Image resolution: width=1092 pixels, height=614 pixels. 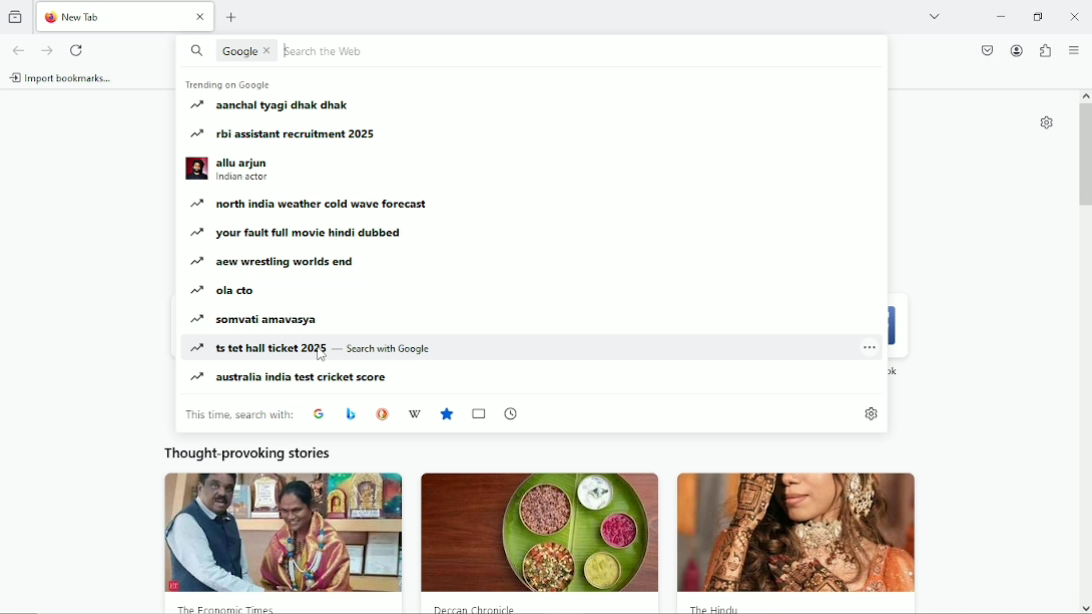 I want to click on ts tet hall ticket 2025, so click(x=264, y=348).